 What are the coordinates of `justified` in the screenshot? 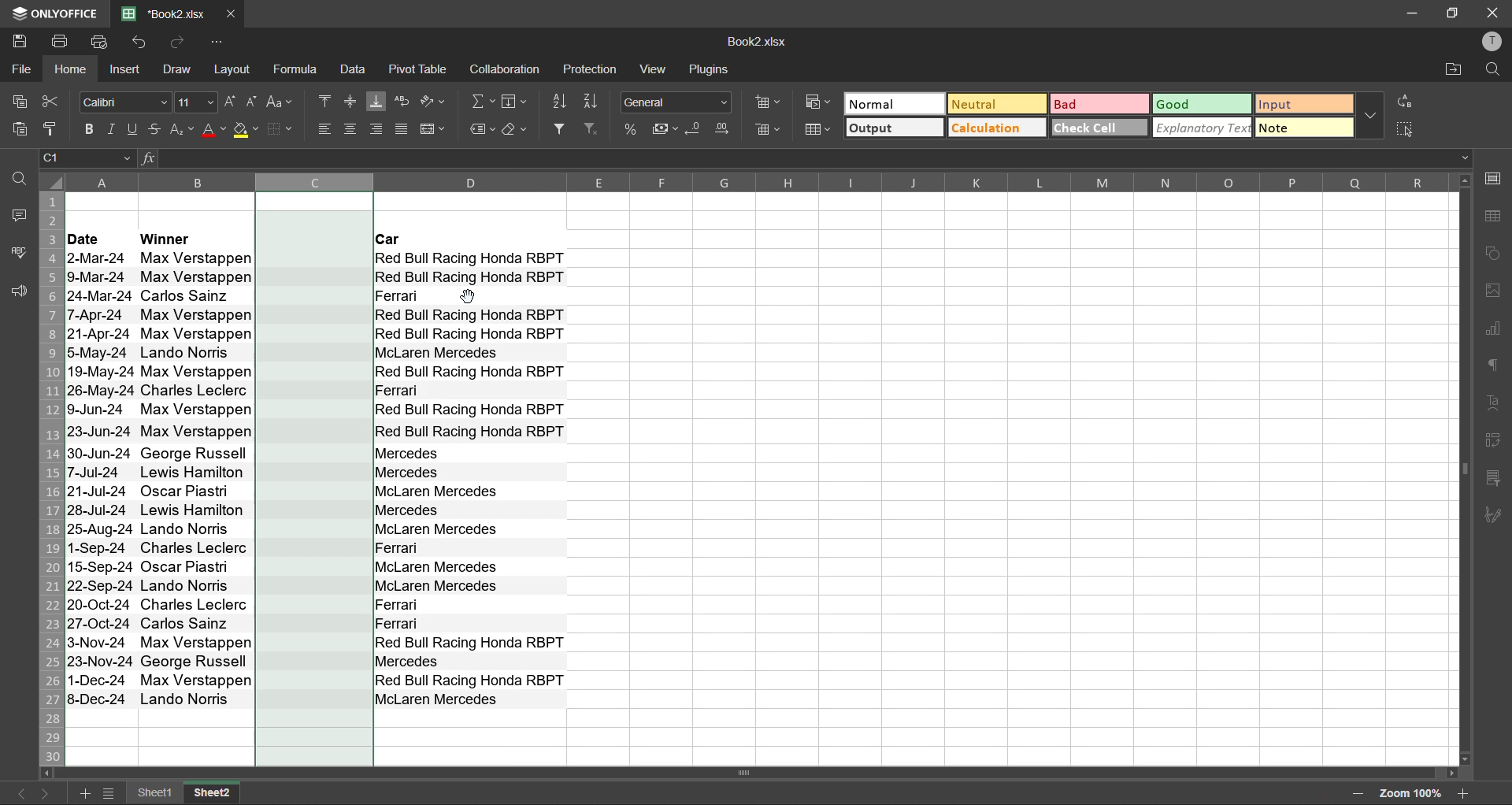 It's located at (403, 129).